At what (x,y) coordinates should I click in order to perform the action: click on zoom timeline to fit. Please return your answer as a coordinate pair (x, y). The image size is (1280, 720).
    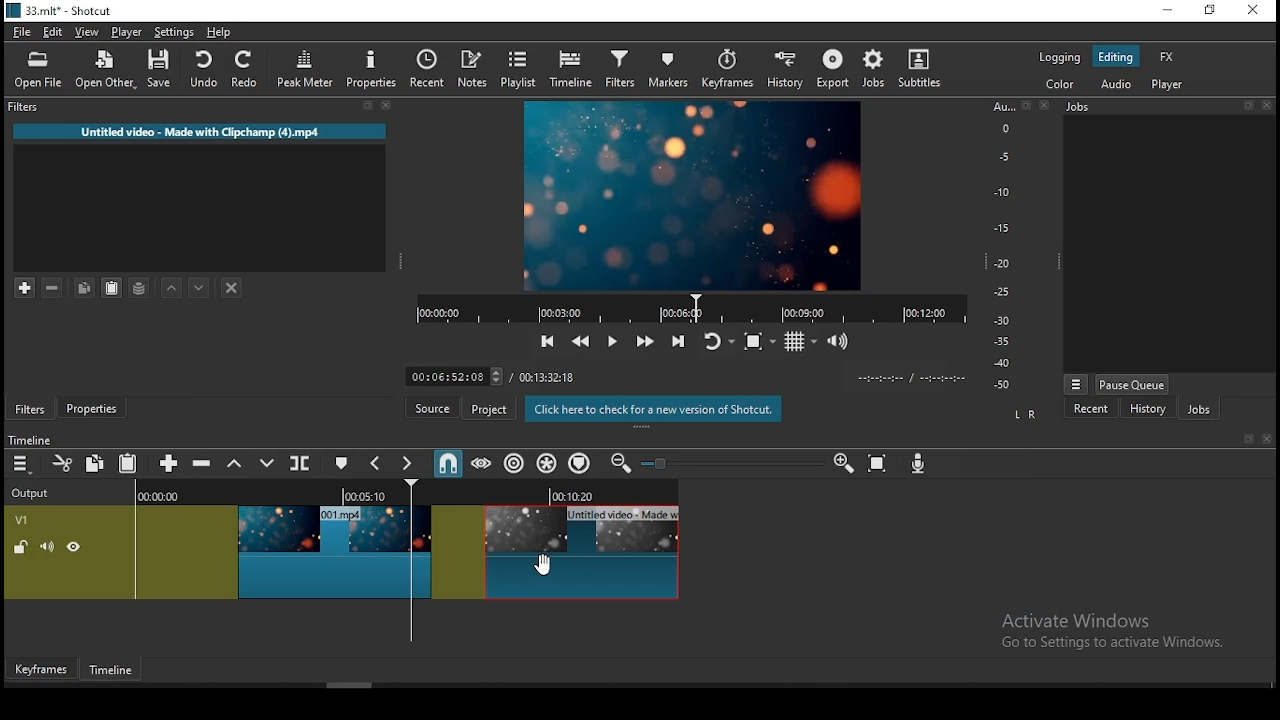
    Looking at the image, I should click on (881, 464).